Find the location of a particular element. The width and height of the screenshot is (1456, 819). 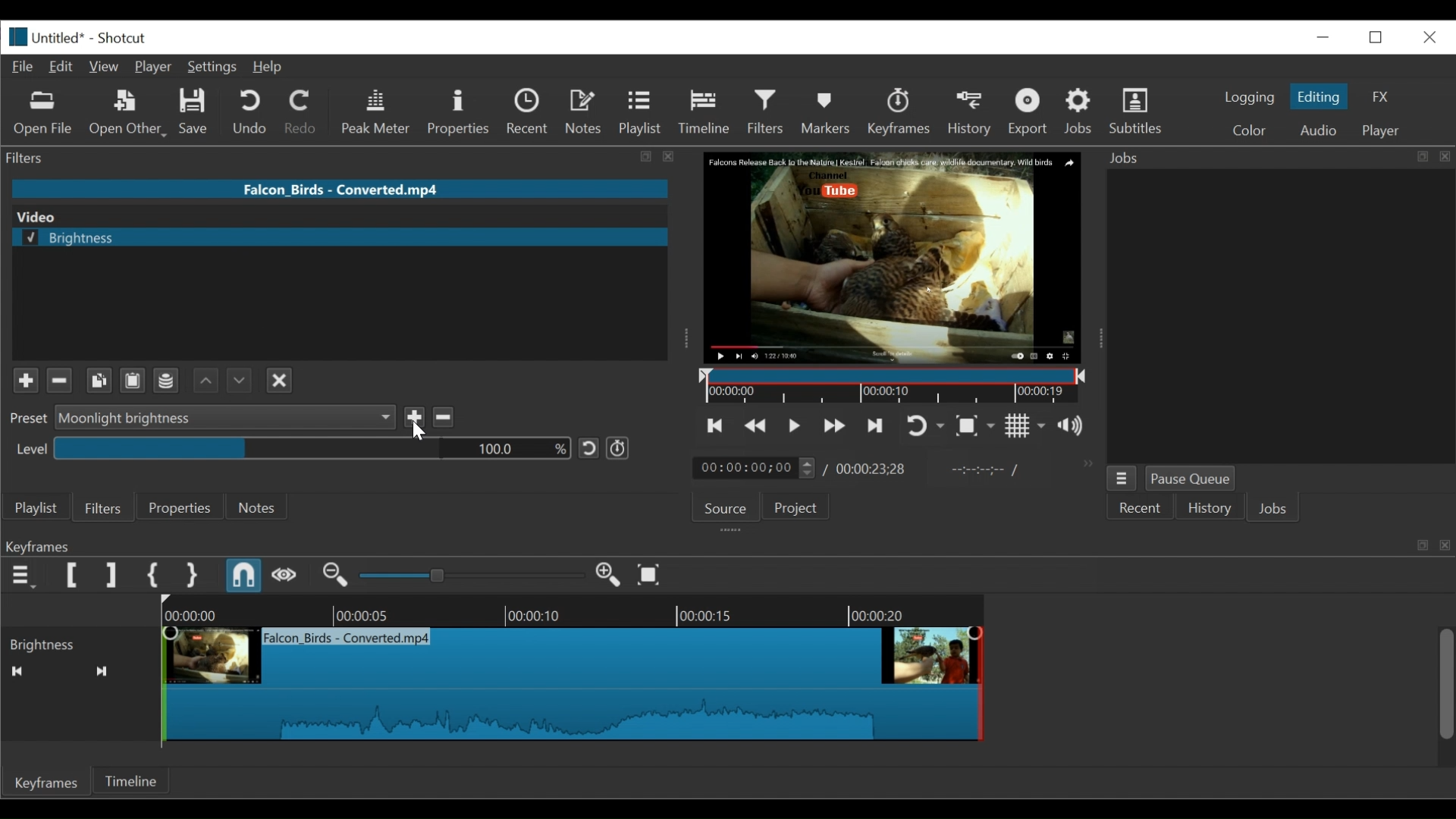

File Name is located at coordinates (44, 37).